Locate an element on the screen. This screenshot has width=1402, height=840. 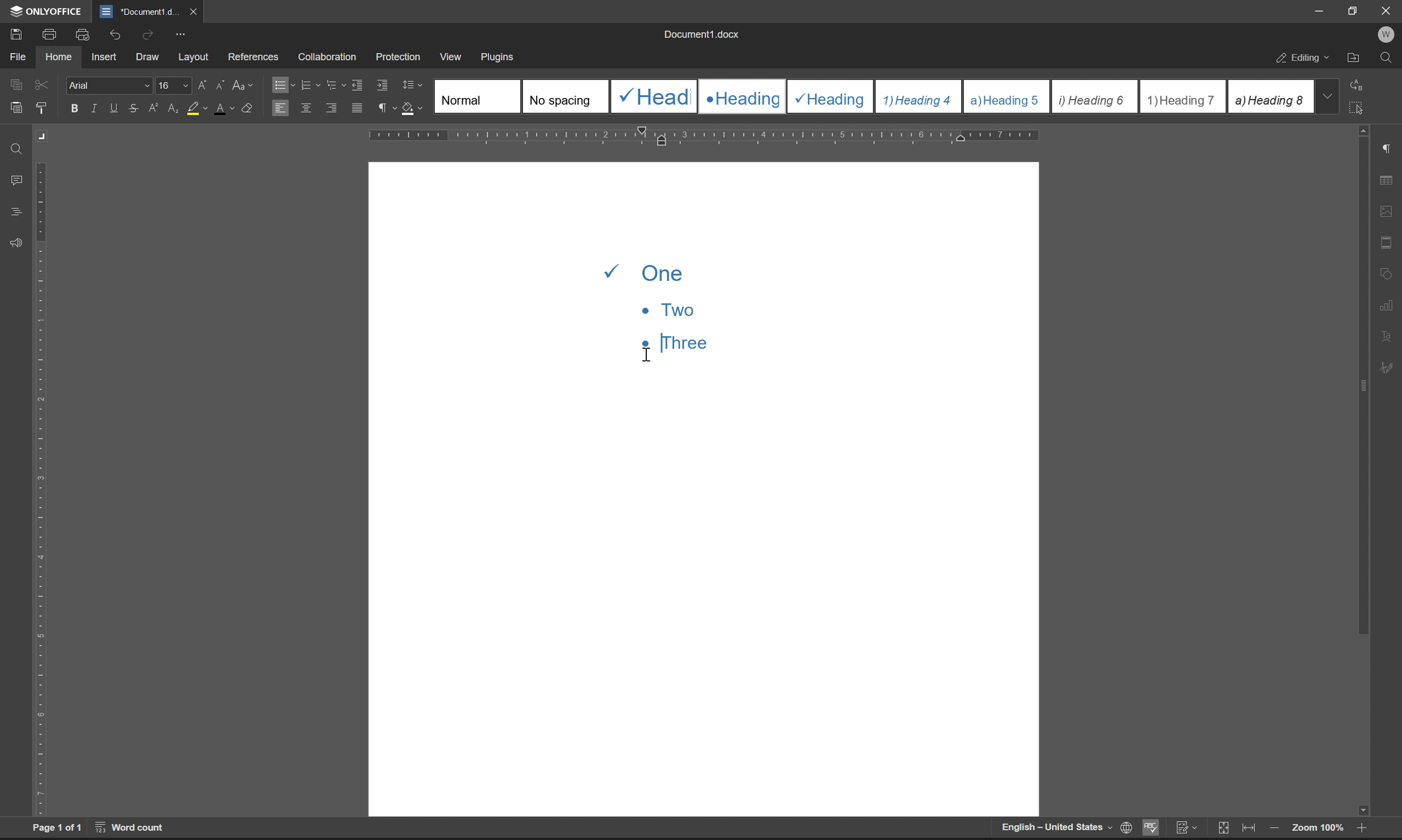
Close is located at coordinates (1387, 11).